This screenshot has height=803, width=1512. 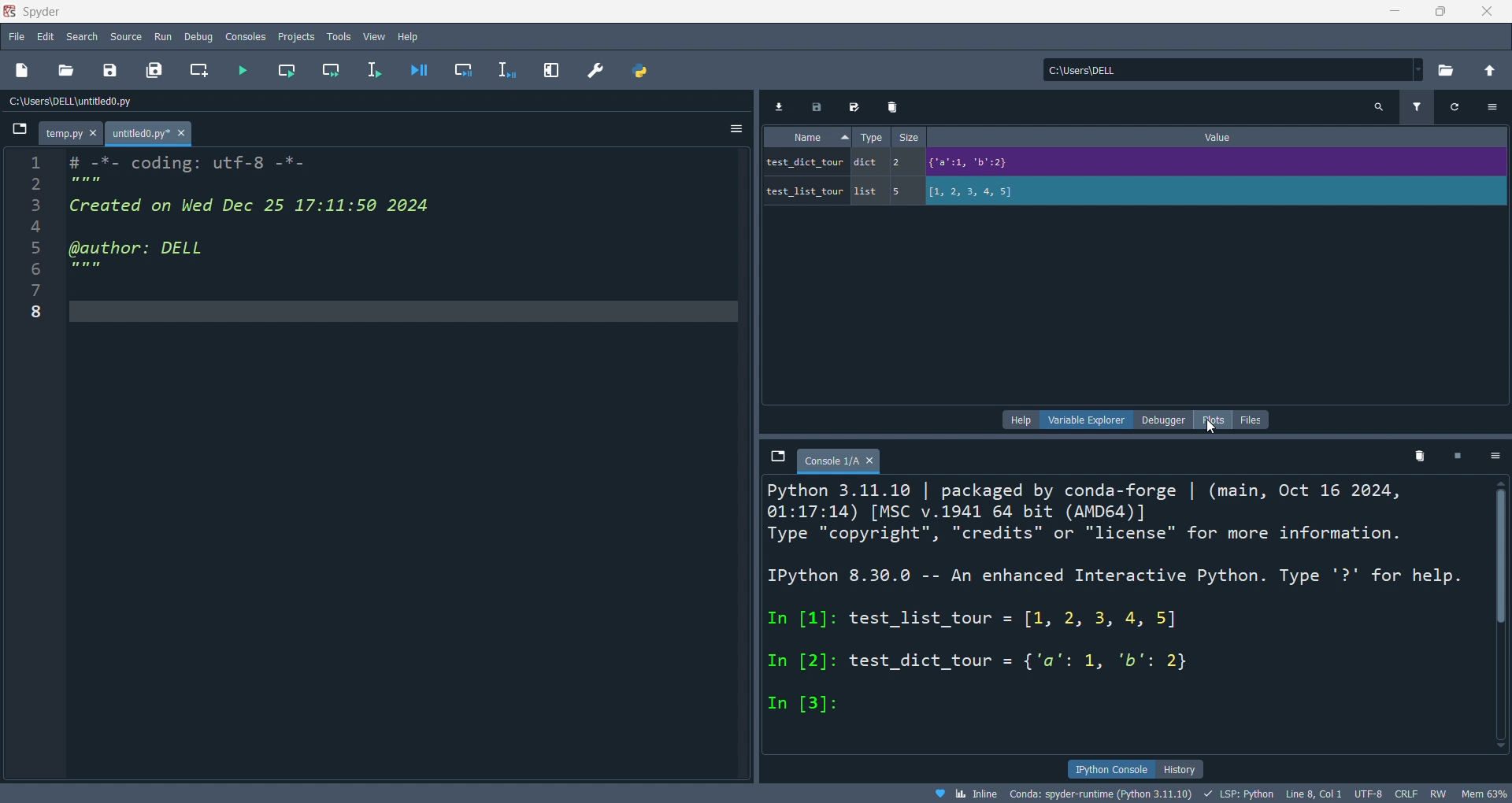 What do you see at coordinates (1214, 420) in the screenshot?
I see `plots` at bounding box center [1214, 420].